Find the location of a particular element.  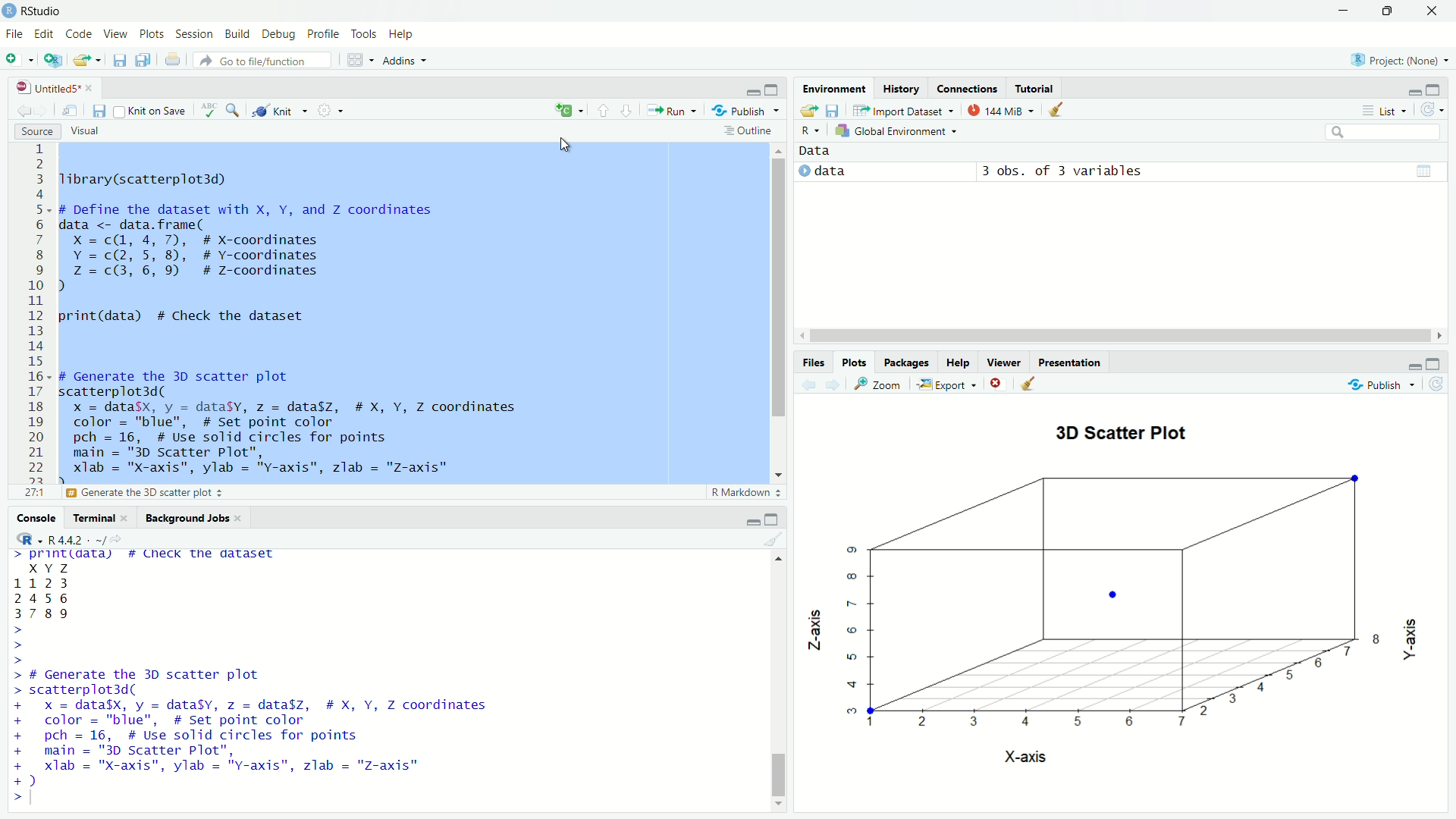

plots is located at coordinates (152, 36).